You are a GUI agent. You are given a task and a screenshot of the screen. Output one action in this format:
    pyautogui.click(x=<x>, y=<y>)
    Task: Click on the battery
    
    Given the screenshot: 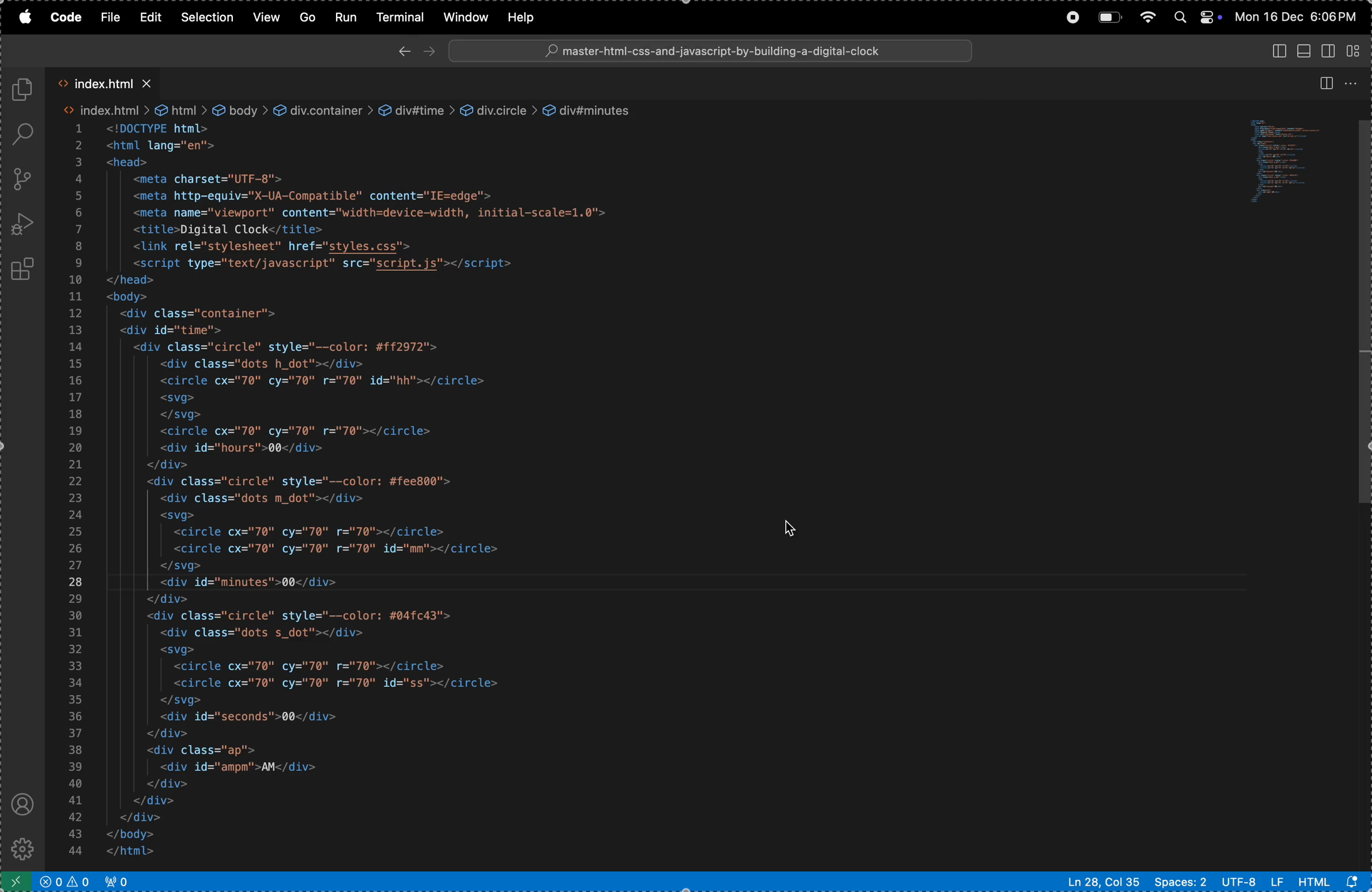 What is the action you would take?
    pyautogui.click(x=1109, y=18)
    